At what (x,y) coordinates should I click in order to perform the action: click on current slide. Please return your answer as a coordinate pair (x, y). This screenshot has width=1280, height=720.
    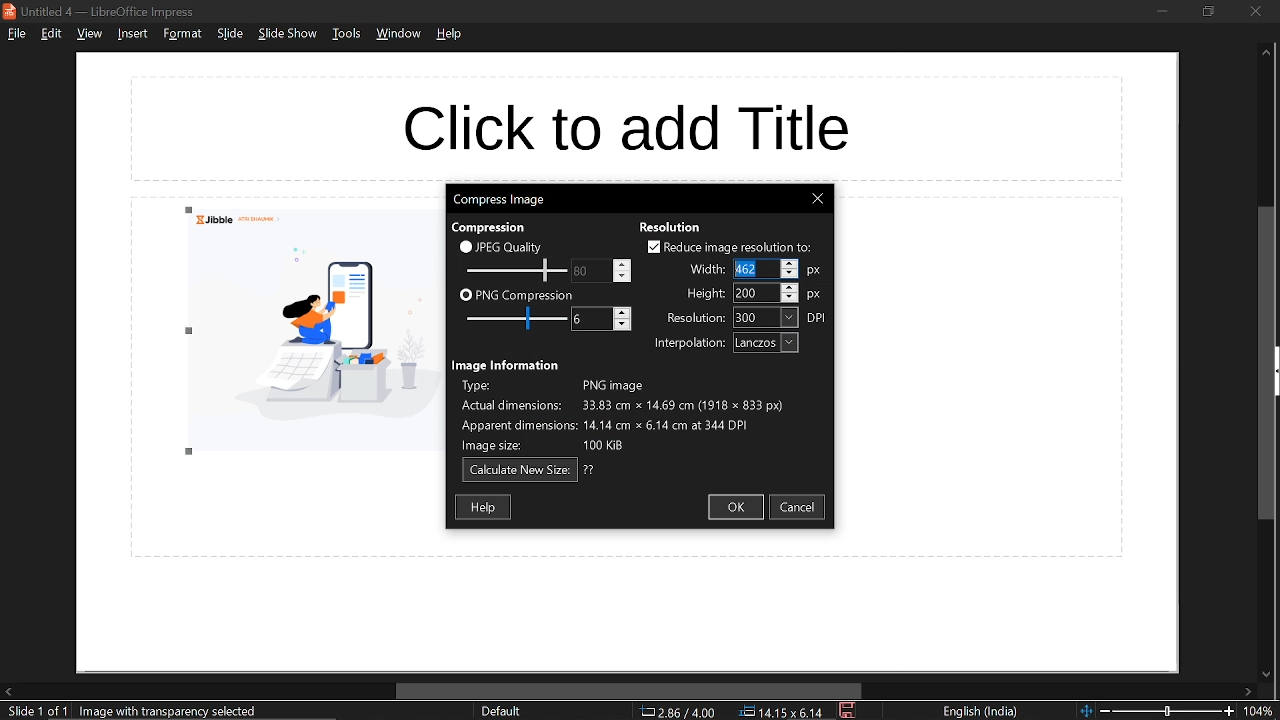
    Looking at the image, I should click on (34, 712).